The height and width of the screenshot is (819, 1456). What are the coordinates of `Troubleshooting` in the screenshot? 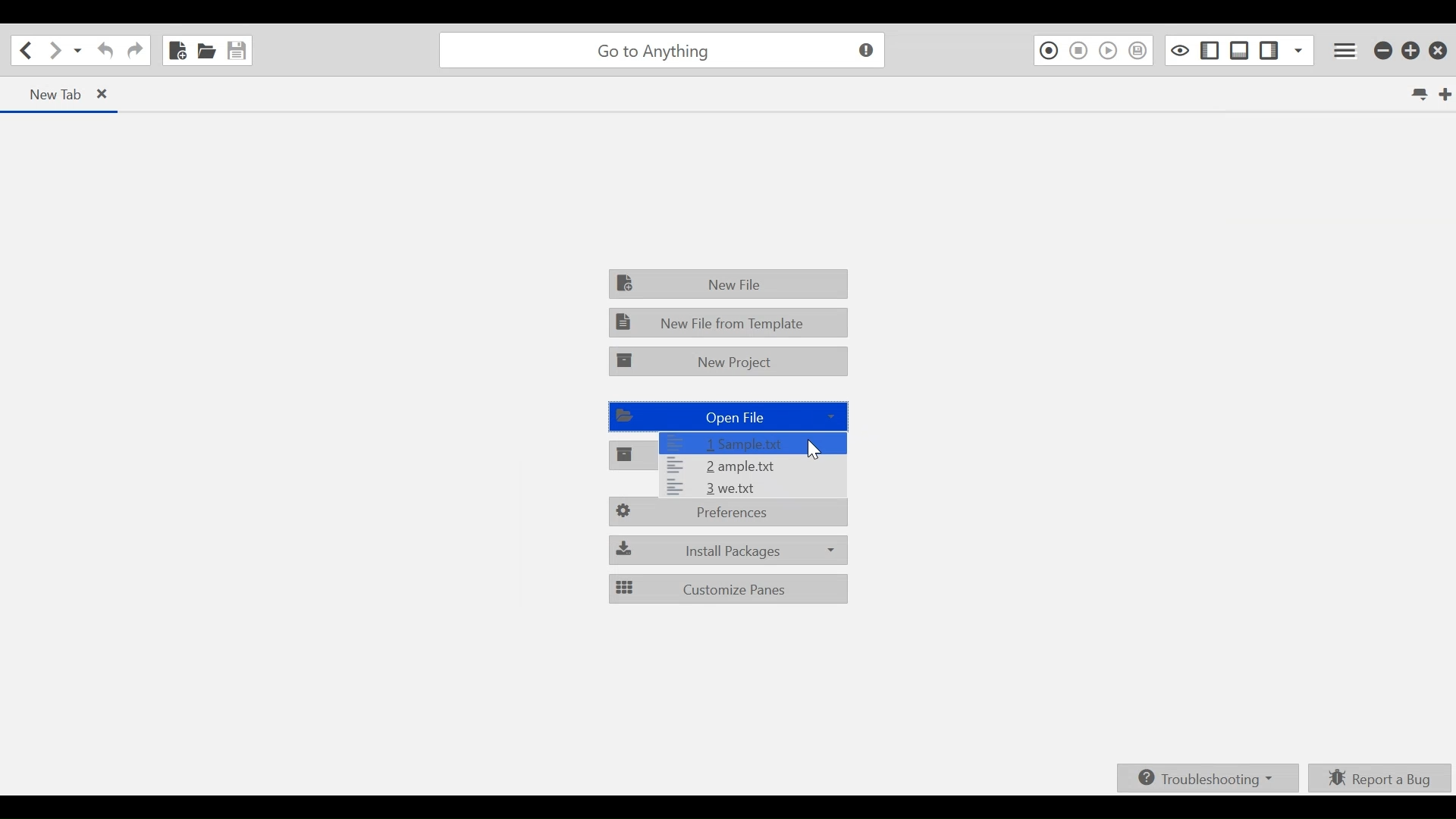 It's located at (1212, 778).